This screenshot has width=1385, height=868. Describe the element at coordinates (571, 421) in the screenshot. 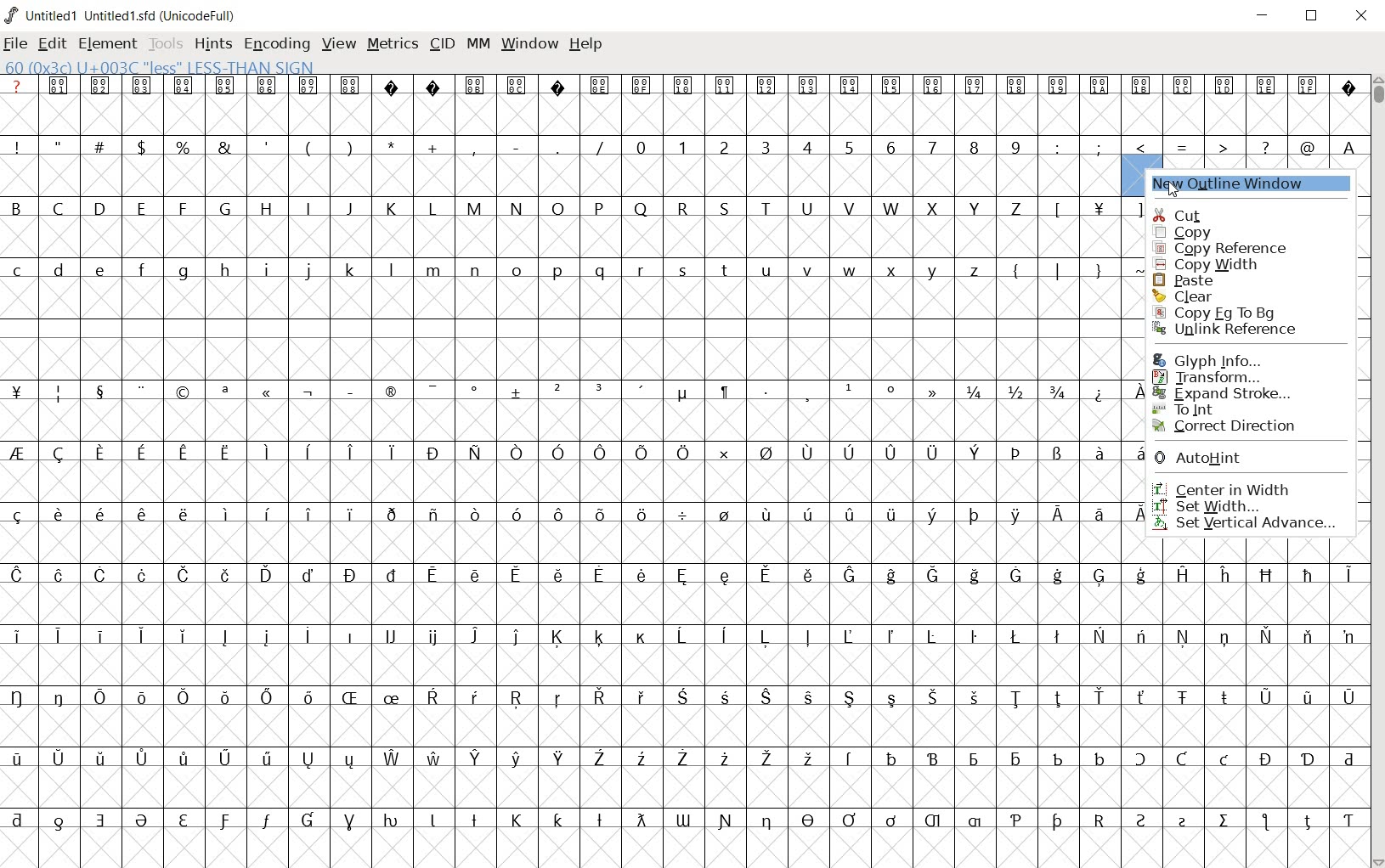

I see `empty cells` at that location.